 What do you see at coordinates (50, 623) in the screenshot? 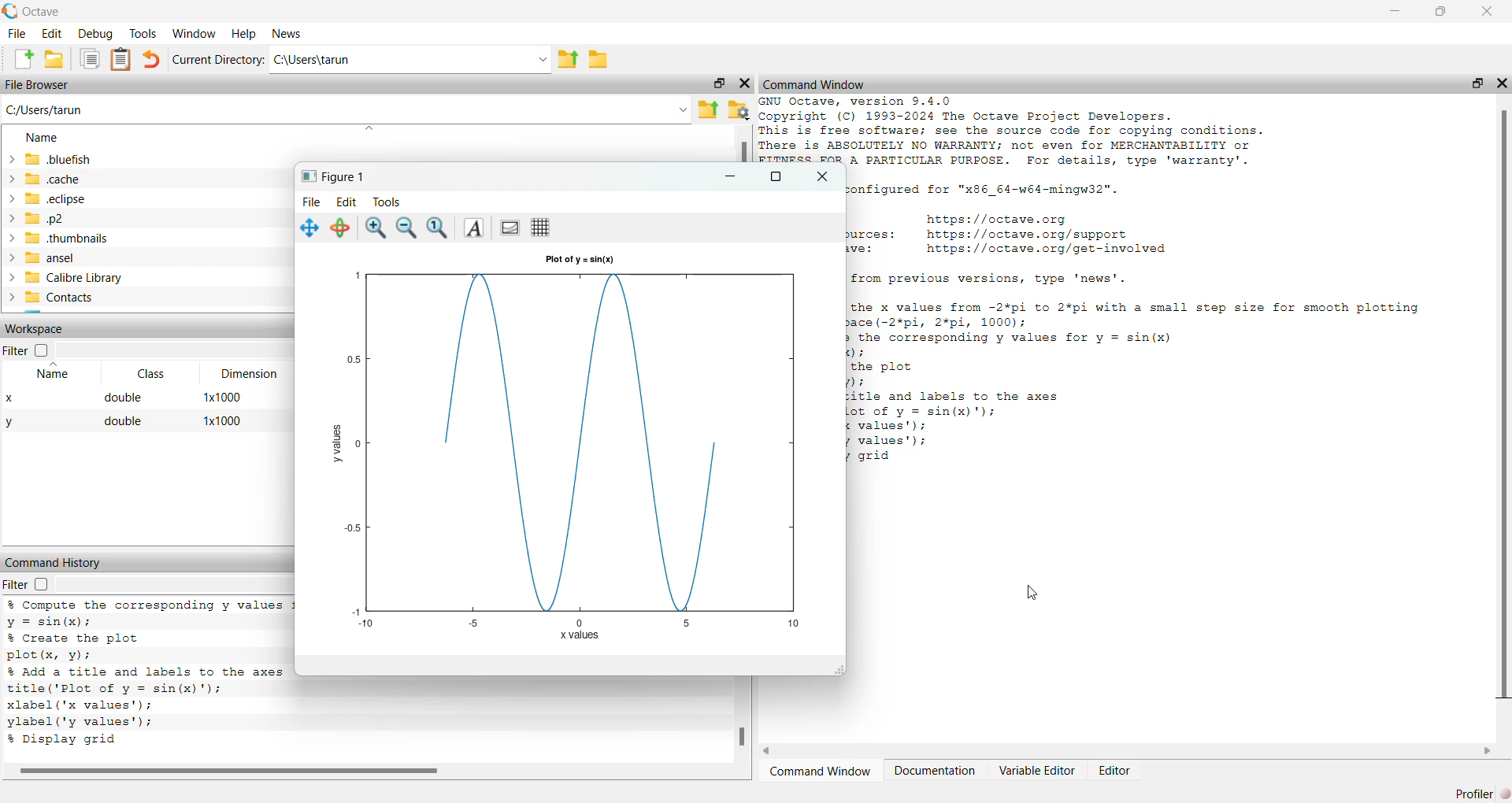
I see `y = sin(x);` at bounding box center [50, 623].